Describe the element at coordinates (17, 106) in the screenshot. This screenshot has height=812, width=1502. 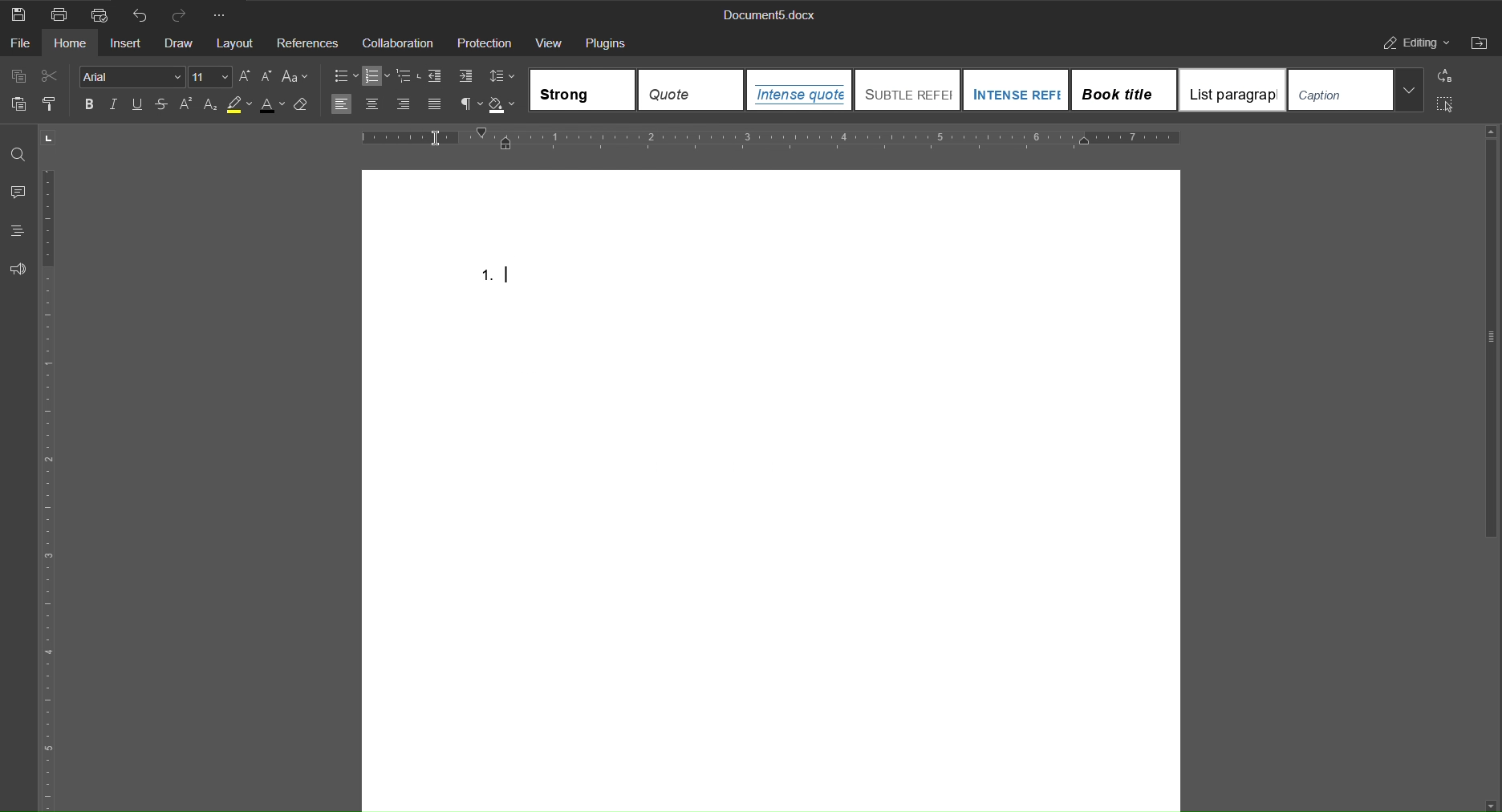
I see `Paste` at that location.